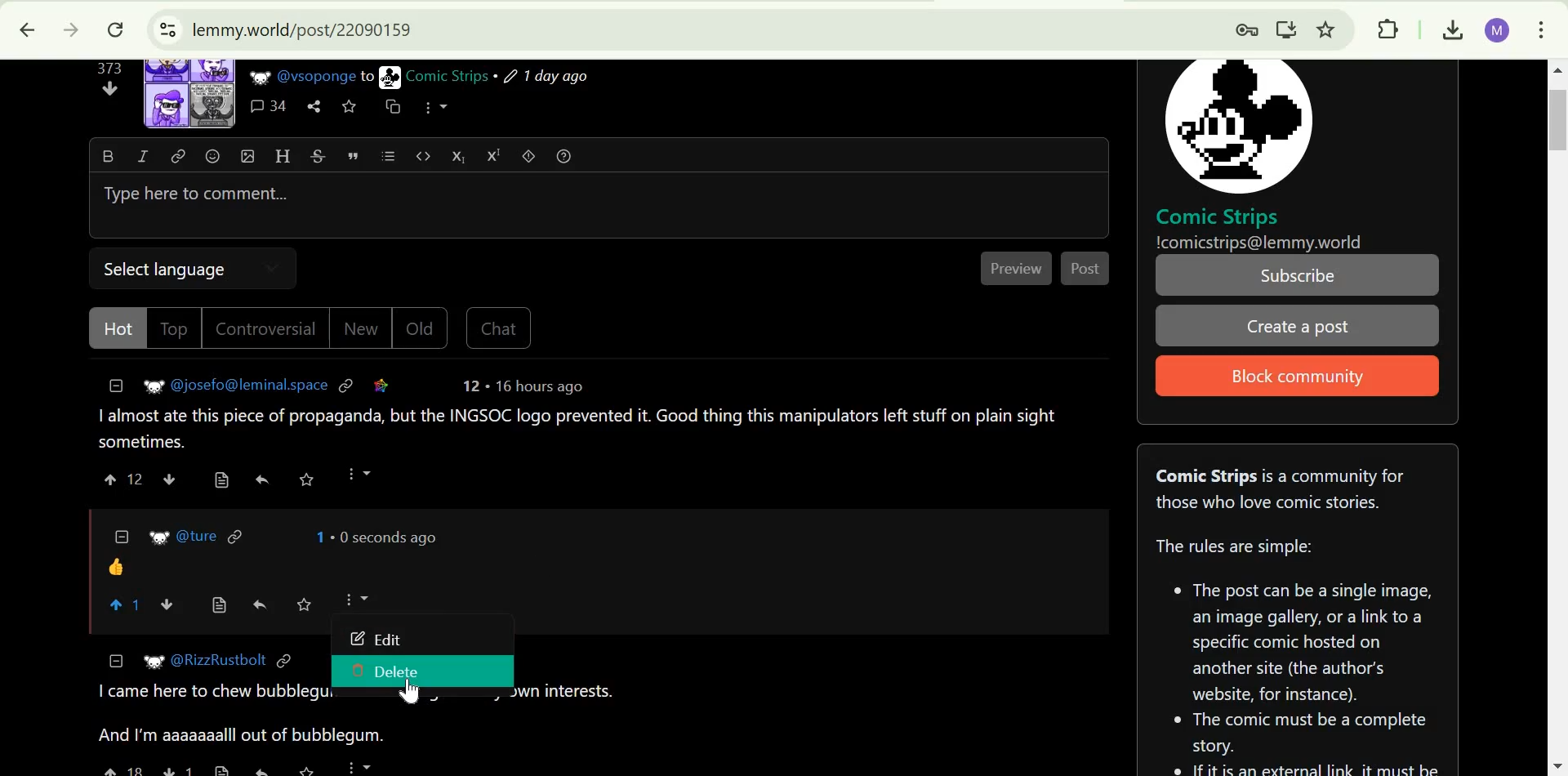  I want to click on Click to go back, hold to see history, so click(27, 30).